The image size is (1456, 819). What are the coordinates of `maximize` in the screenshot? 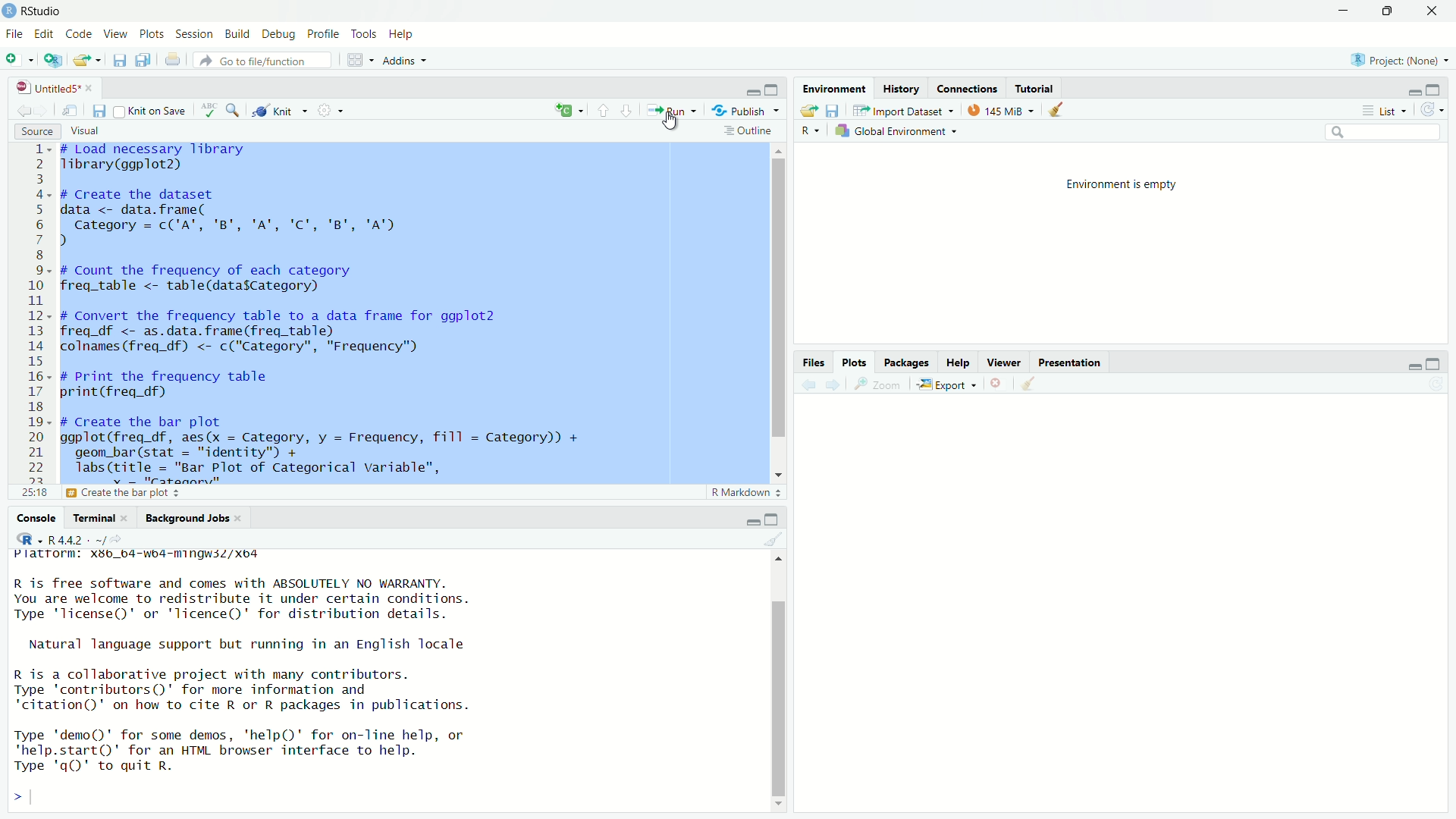 It's located at (777, 89).